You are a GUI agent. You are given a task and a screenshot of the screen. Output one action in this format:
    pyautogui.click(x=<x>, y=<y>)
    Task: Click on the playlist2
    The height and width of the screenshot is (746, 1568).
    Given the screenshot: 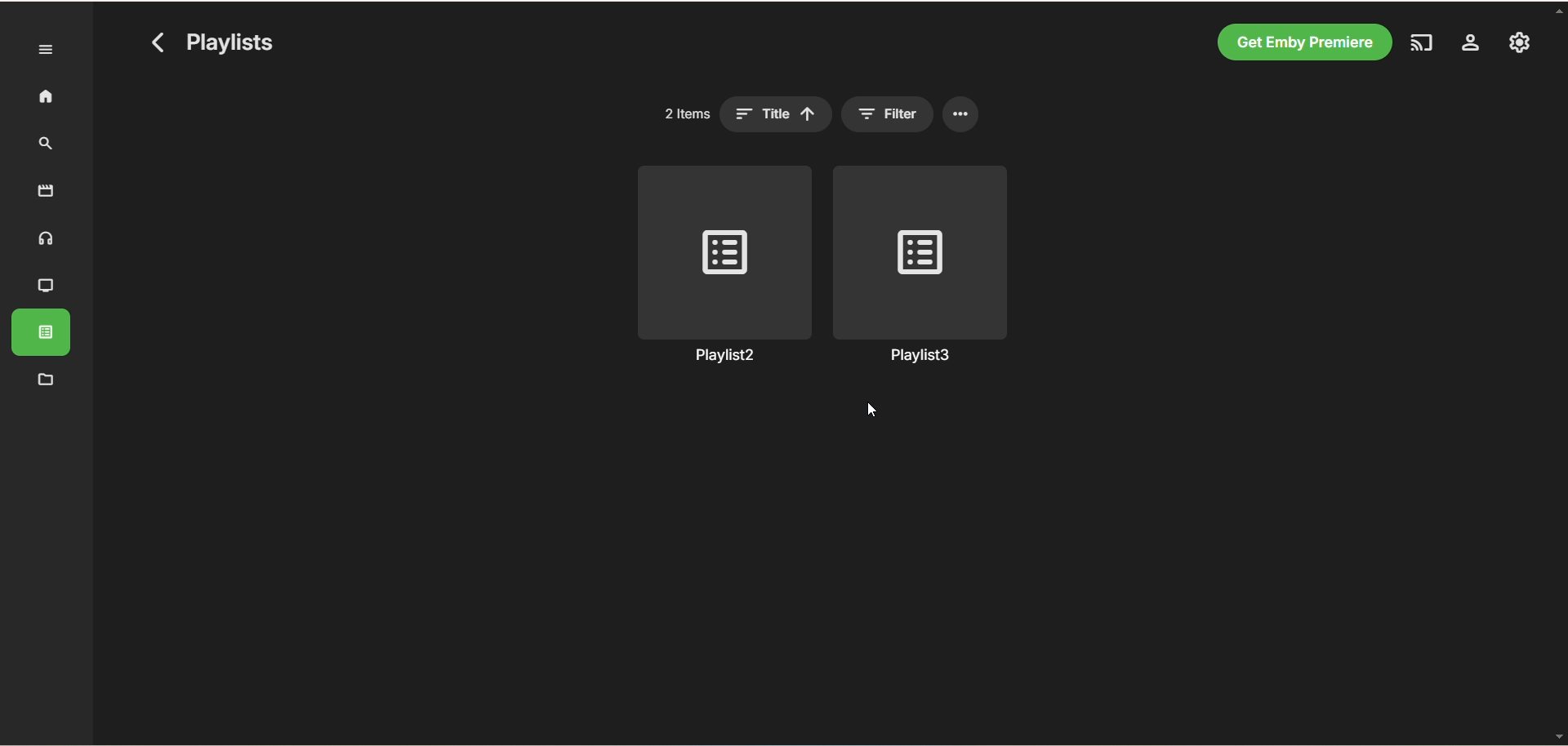 What is the action you would take?
    pyautogui.click(x=724, y=265)
    